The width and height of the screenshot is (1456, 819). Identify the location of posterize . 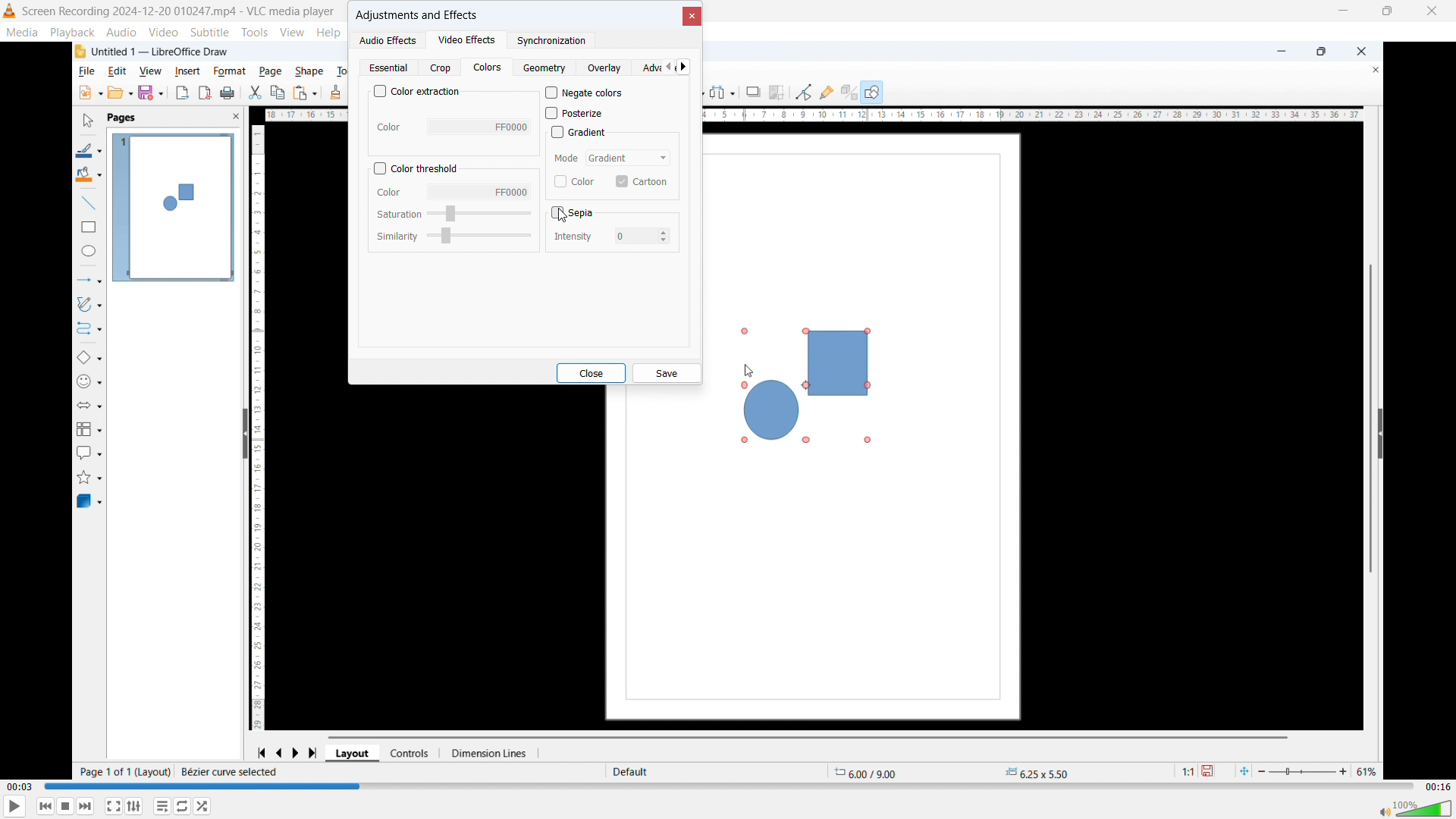
(576, 113).